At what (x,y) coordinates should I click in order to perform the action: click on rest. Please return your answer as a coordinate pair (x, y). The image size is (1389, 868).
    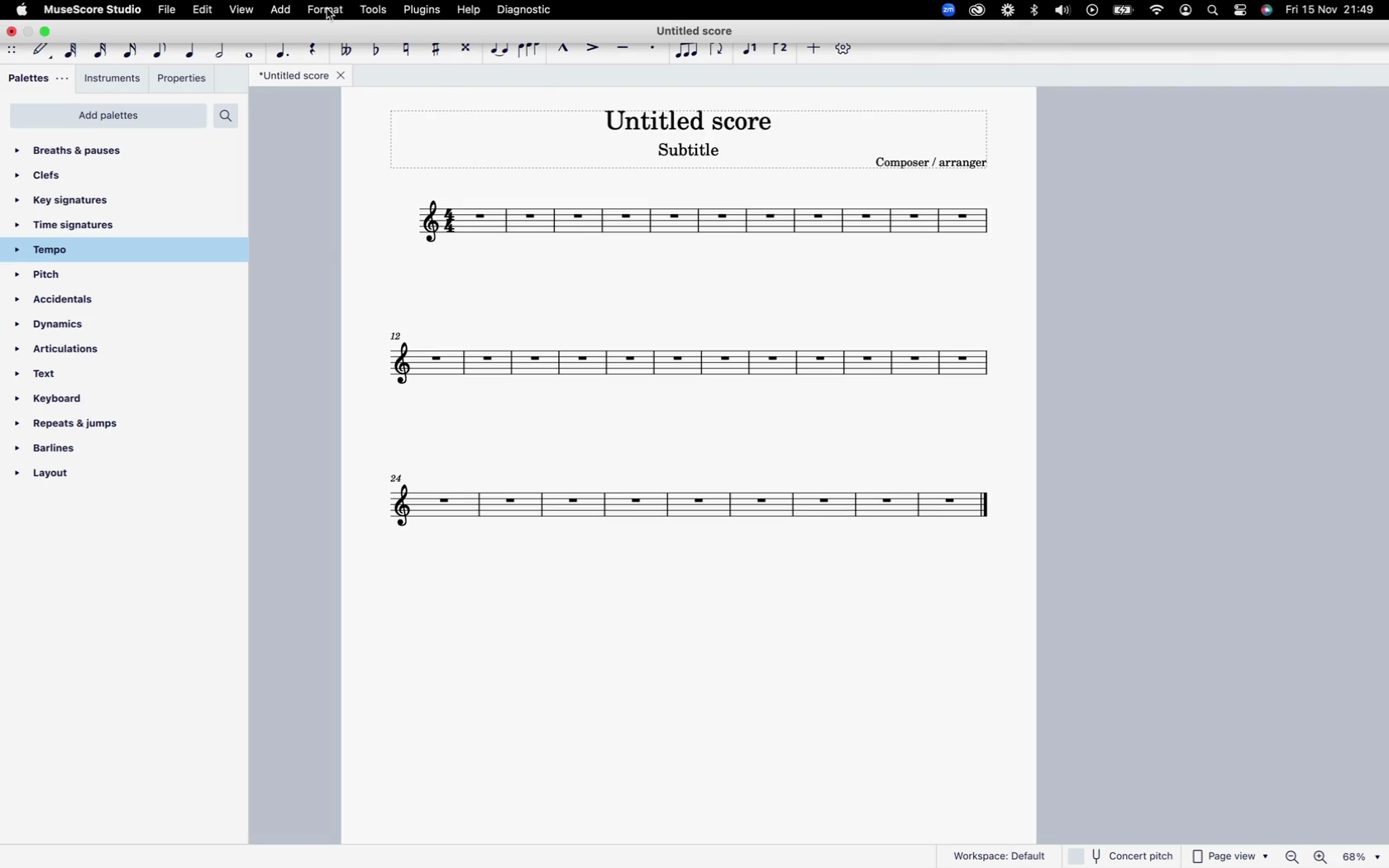
    Looking at the image, I should click on (316, 48).